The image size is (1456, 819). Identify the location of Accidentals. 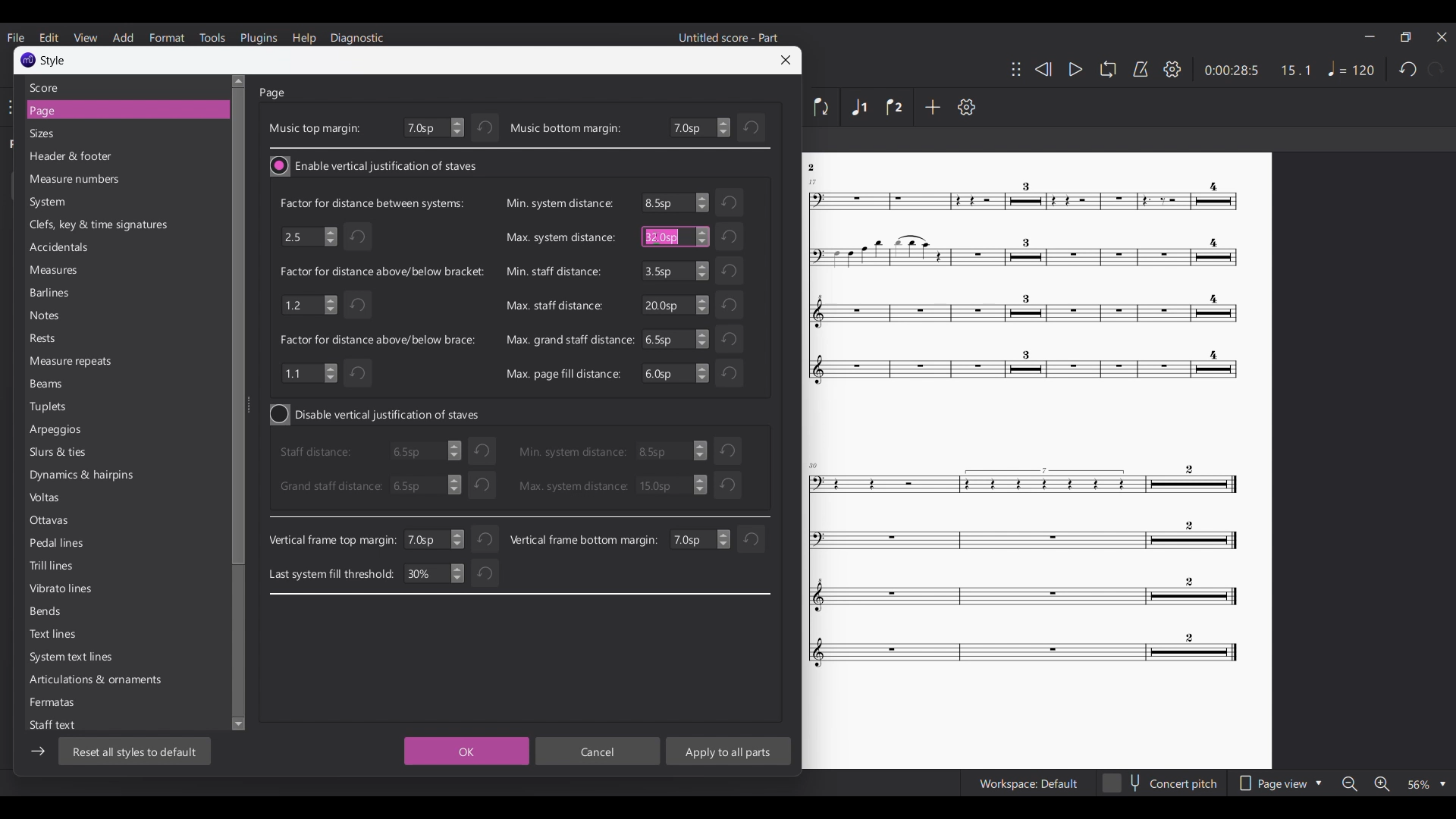
(108, 249).